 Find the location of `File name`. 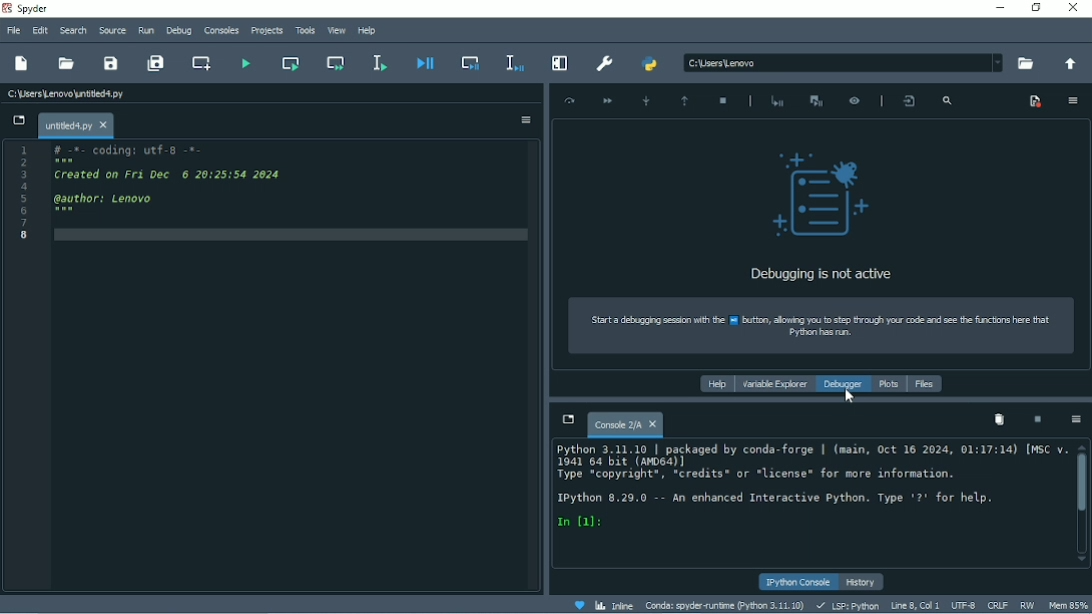

File name is located at coordinates (75, 125).